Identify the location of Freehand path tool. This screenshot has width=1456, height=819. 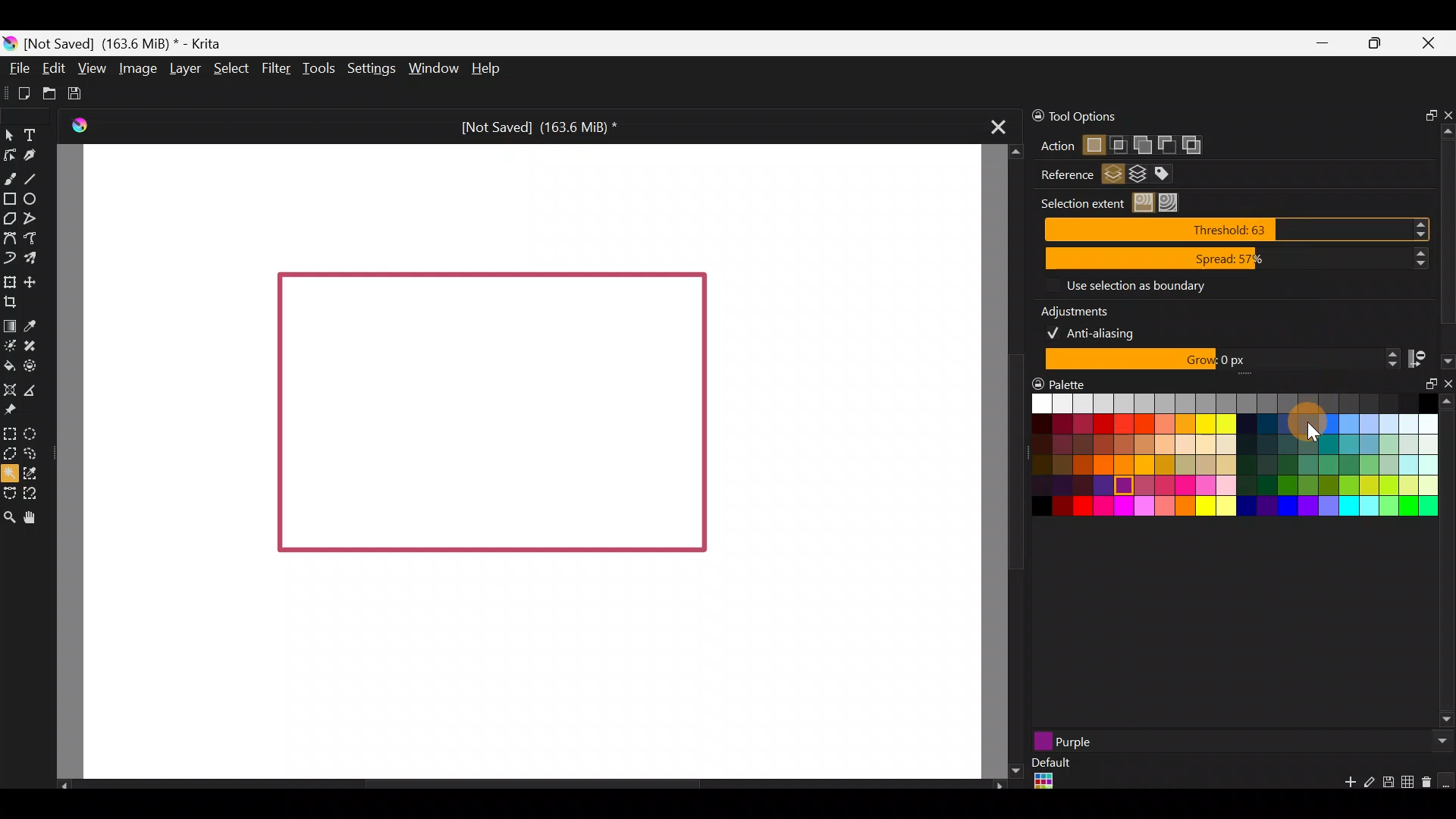
(34, 237).